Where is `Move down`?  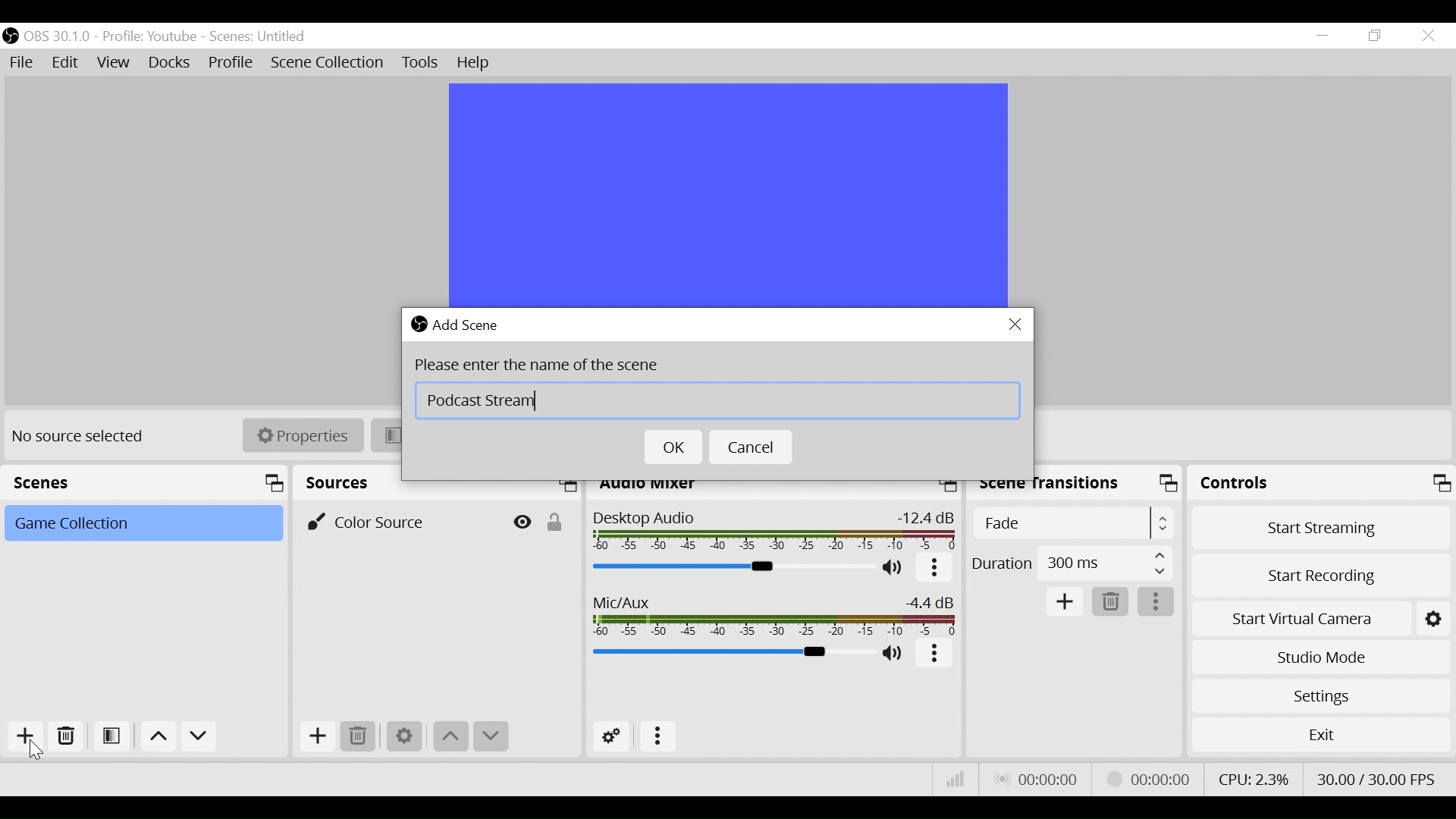
Move down is located at coordinates (198, 736).